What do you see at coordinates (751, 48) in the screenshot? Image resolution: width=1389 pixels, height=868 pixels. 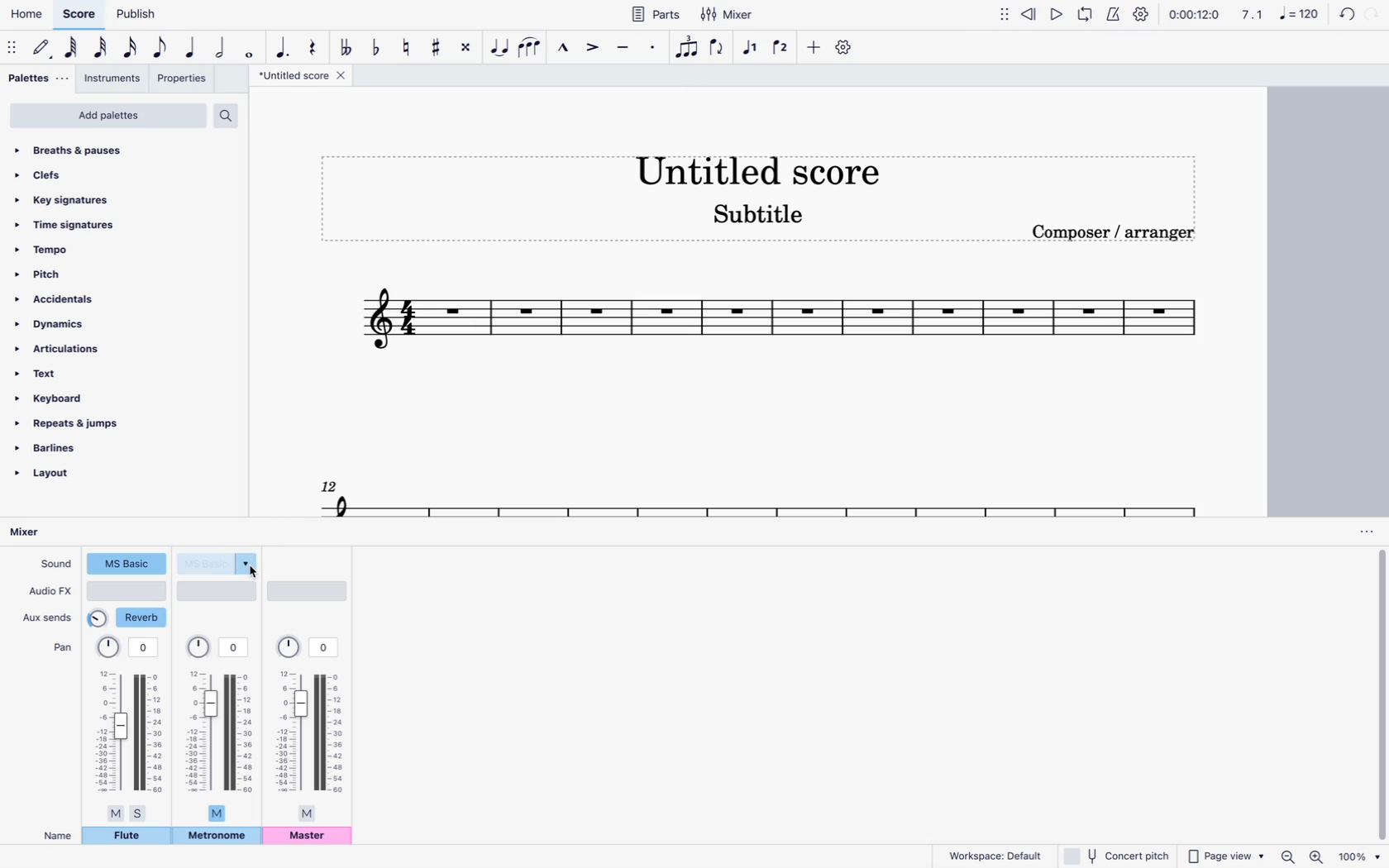 I see `voice 1` at bounding box center [751, 48].